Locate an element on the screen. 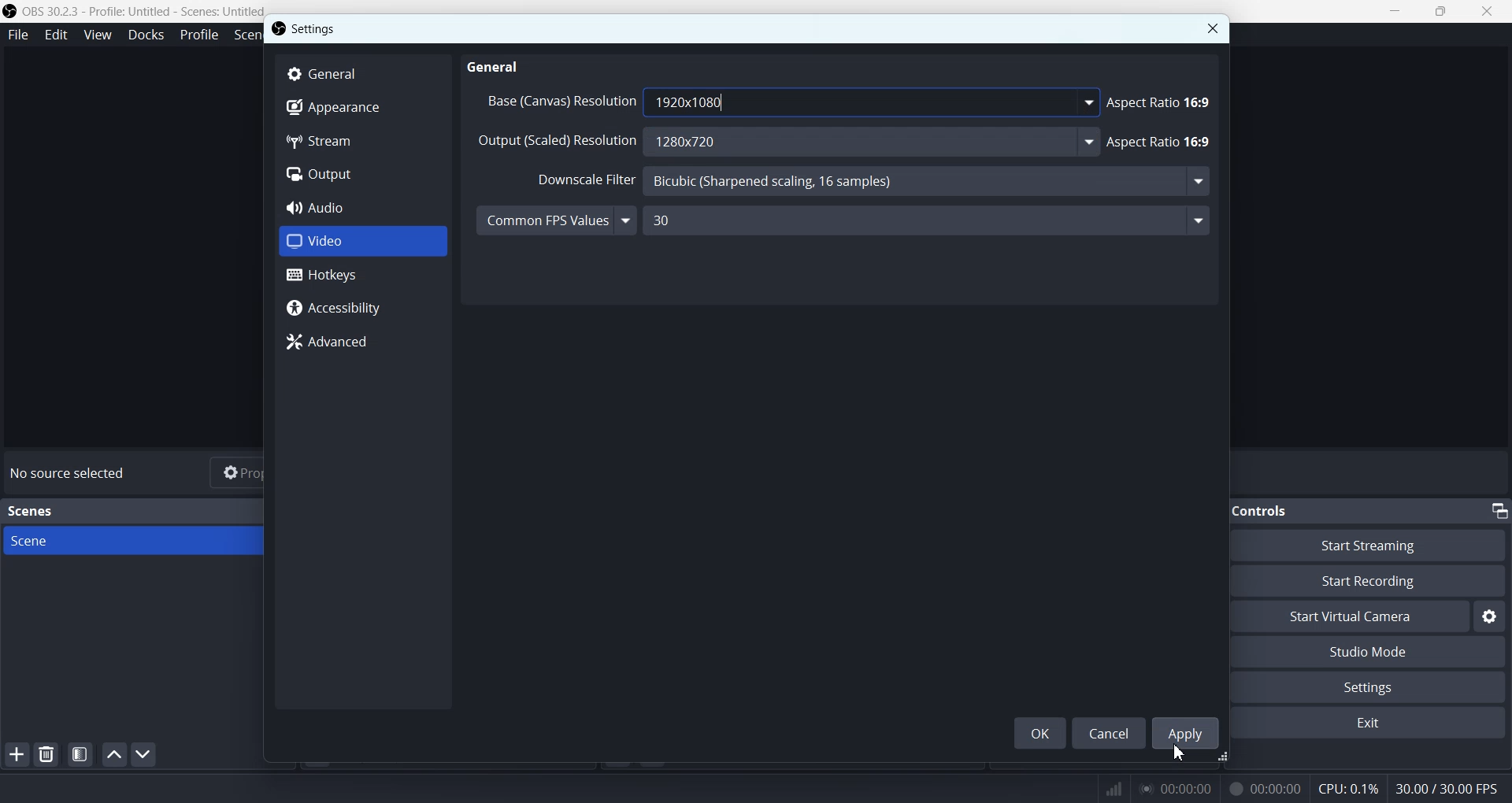  Output(Scaled) resolution is located at coordinates (557, 145).